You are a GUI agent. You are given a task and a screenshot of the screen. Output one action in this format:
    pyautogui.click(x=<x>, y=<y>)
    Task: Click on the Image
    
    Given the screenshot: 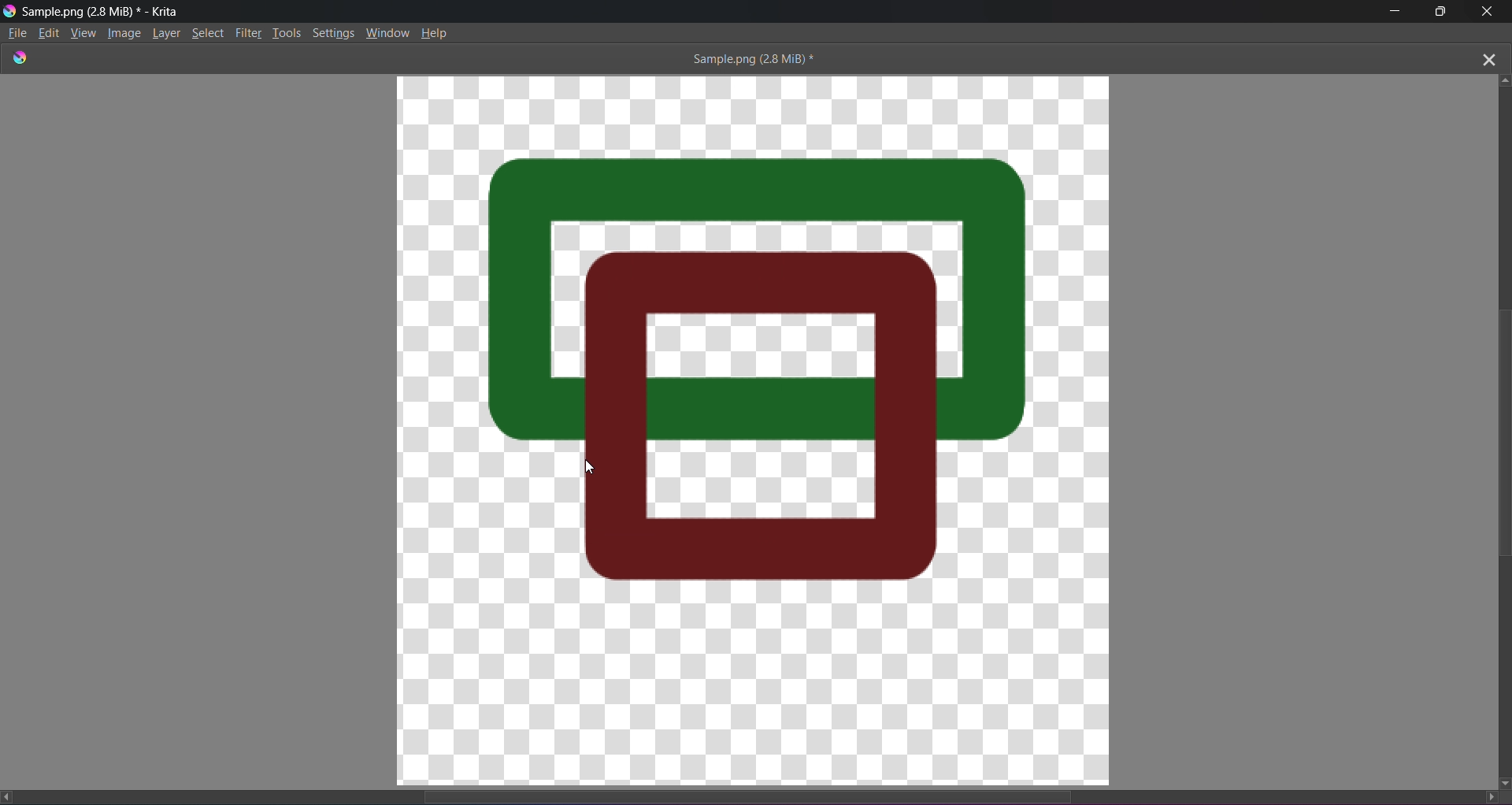 What is the action you would take?
    pyautogui.click(x=125, y=34)
    